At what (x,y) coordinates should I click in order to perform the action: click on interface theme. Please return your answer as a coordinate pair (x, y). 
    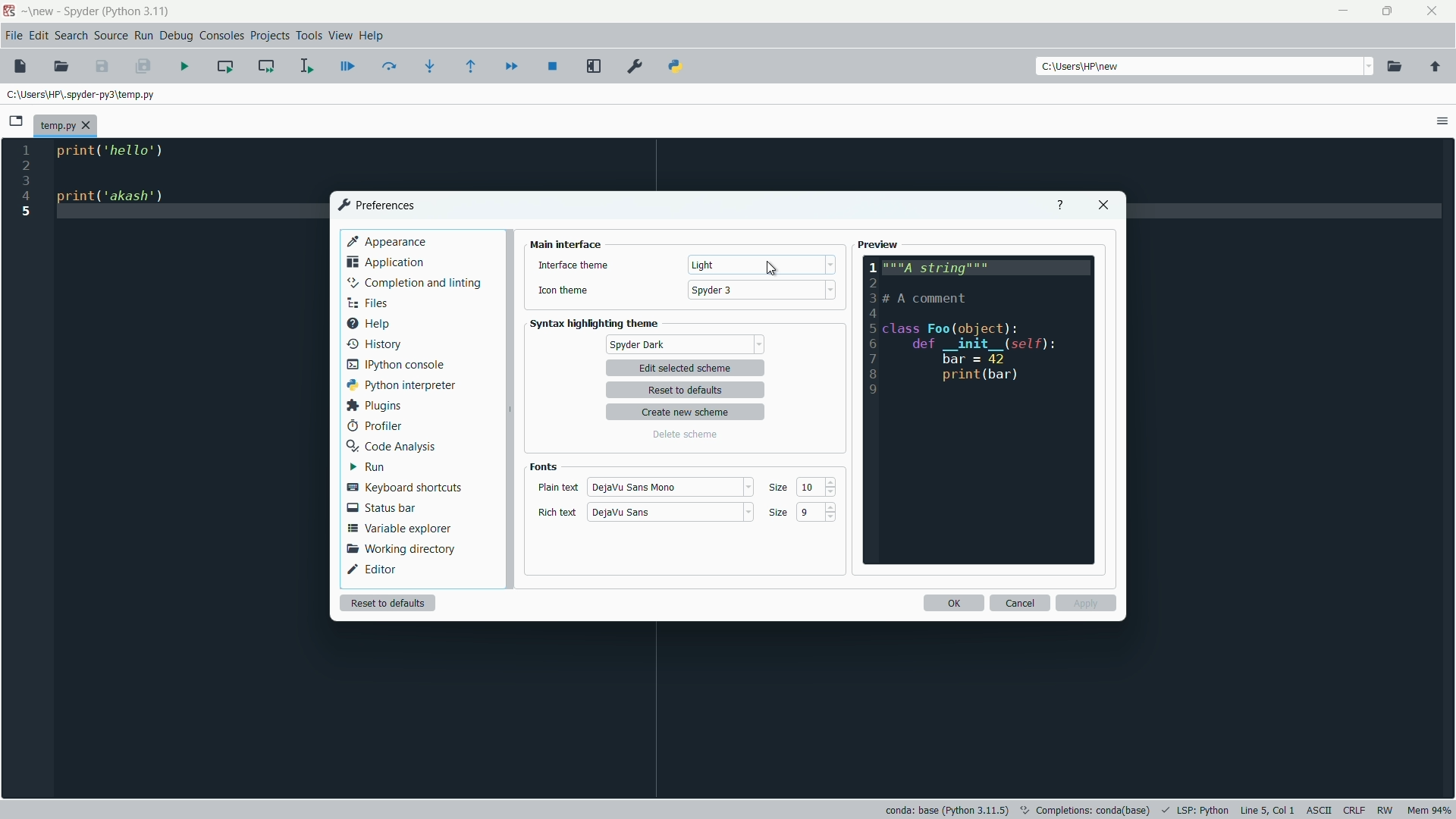
    Looking at the image, I should click on (573, 265).